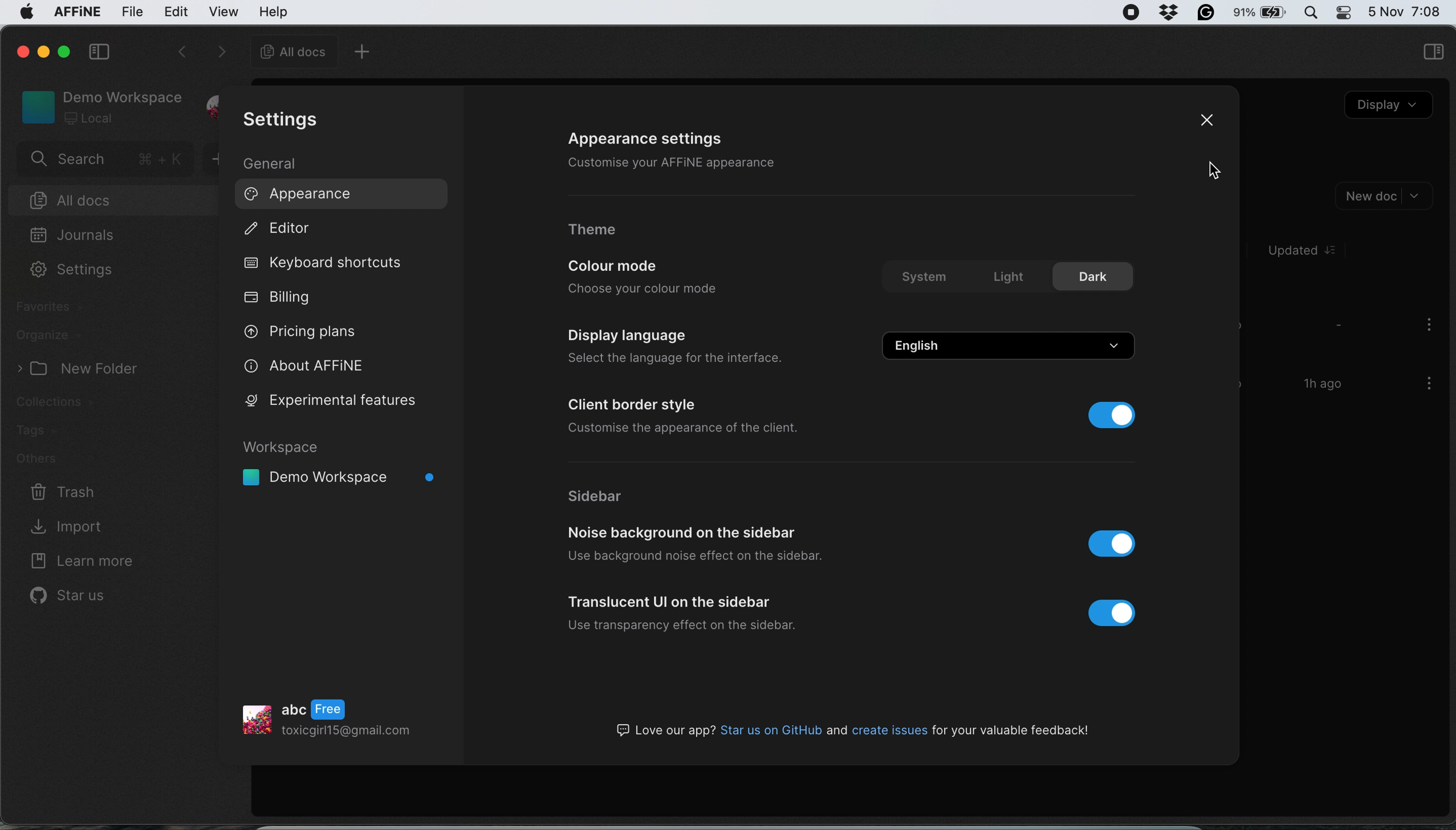 The width and height of the screenshot is (1456, 830). I want to click on light, so click(1010, 278).